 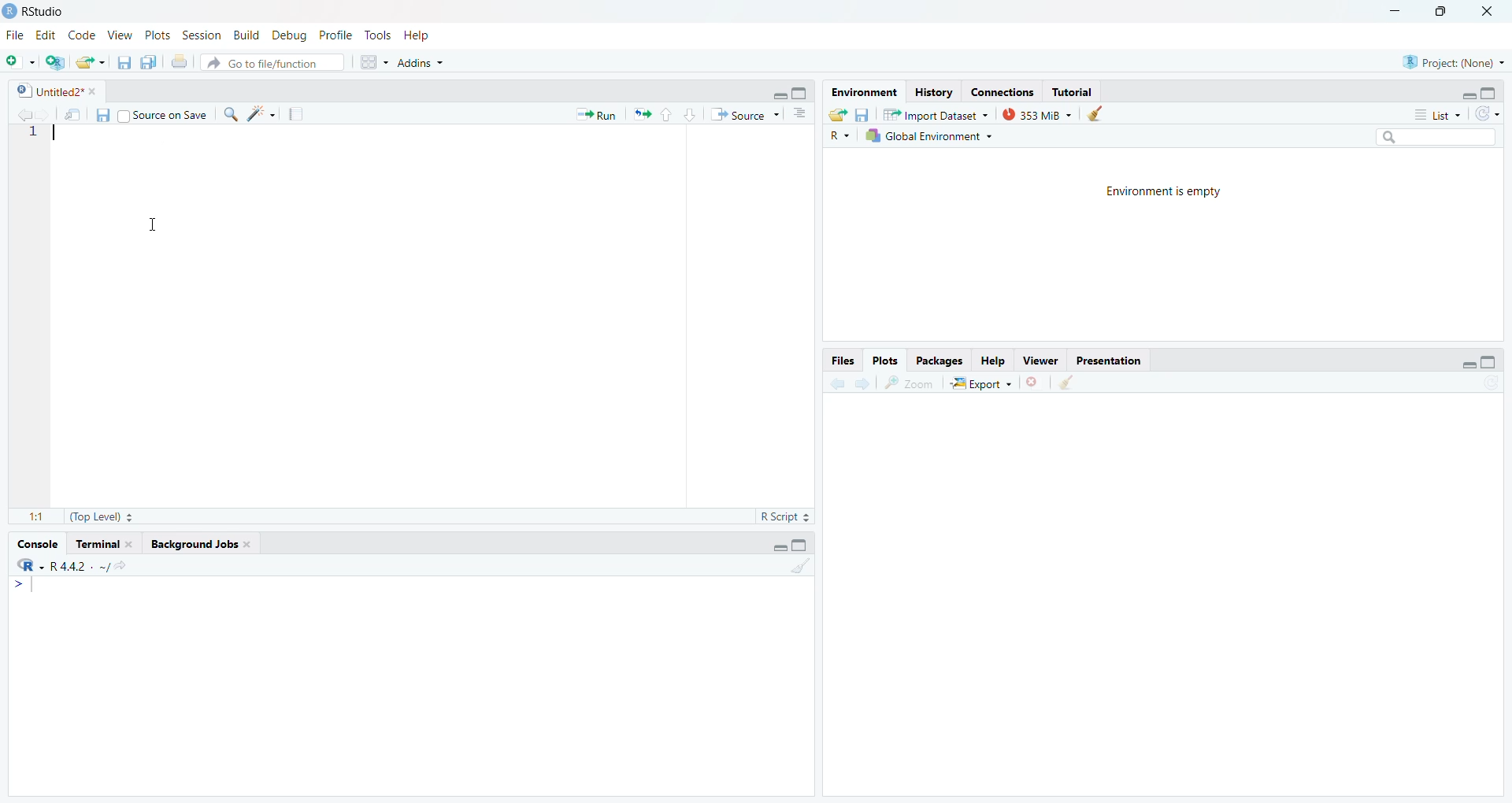 What do you see at coordinates (805, 114) in the screenshot?
I see `show document outline` at bounding box center [805, 114].